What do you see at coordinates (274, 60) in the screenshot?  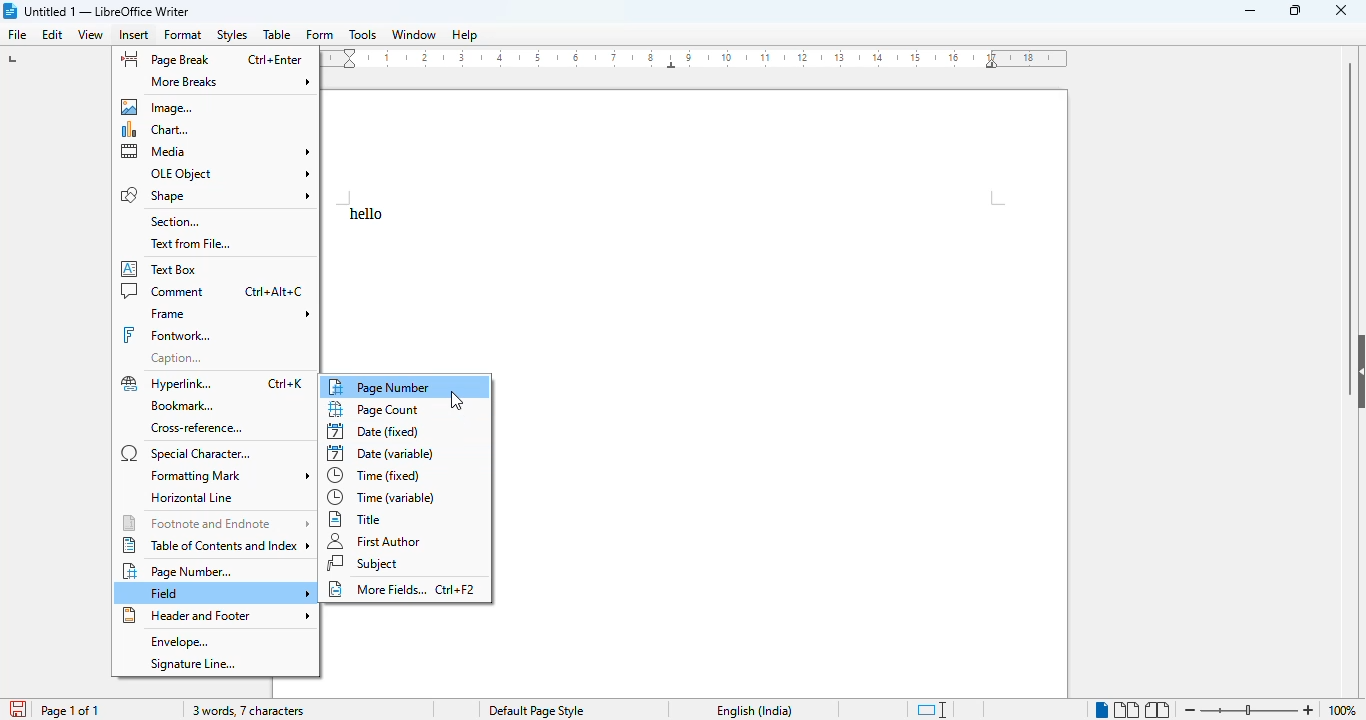 I see `shortcut for page break` at bounding box center [274, 60].